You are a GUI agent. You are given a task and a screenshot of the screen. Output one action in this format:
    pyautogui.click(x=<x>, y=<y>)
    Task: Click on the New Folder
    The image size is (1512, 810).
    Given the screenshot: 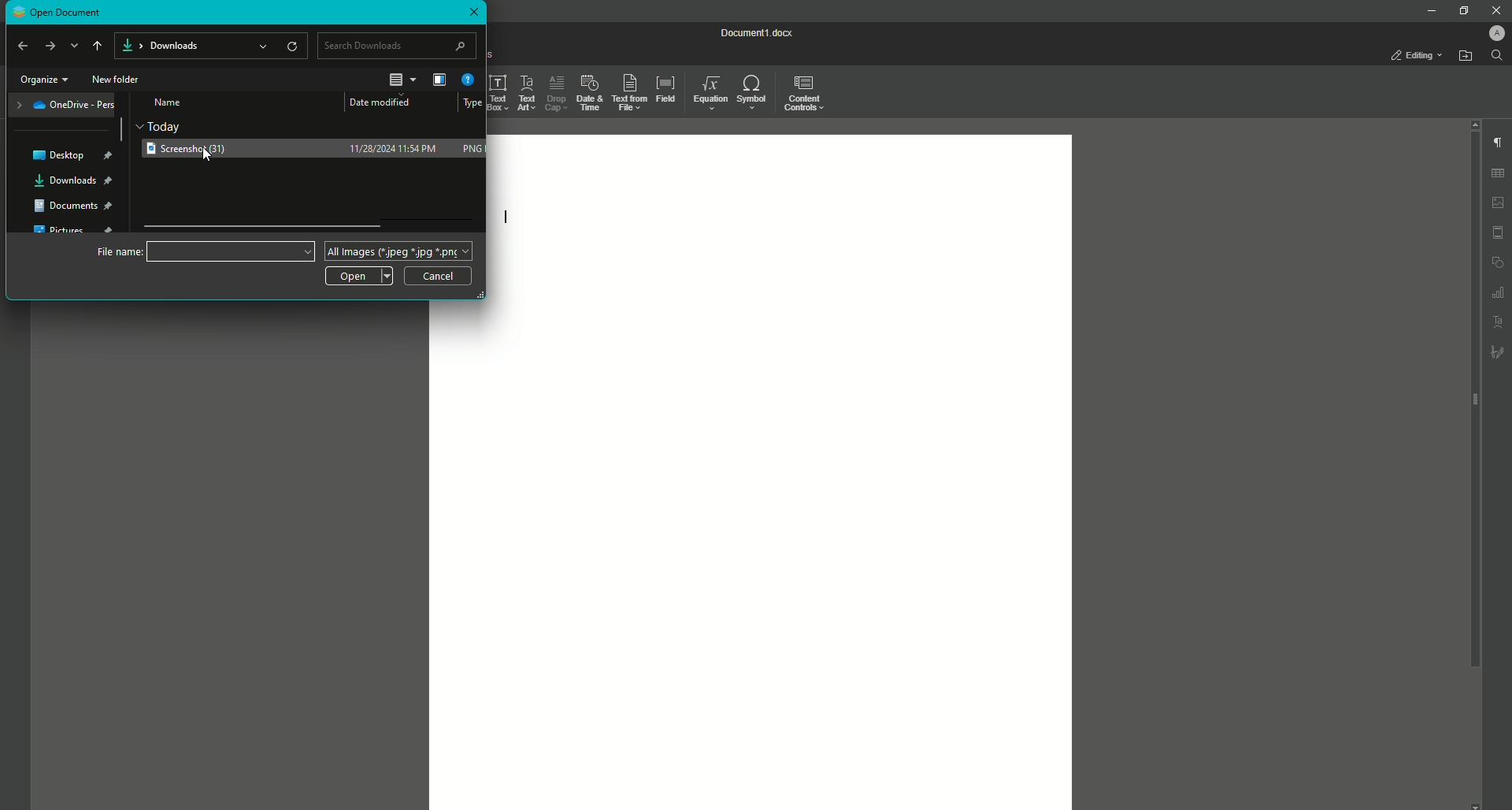 What is the action you would take?
    pyautogui.click(x=120, y=79)
    